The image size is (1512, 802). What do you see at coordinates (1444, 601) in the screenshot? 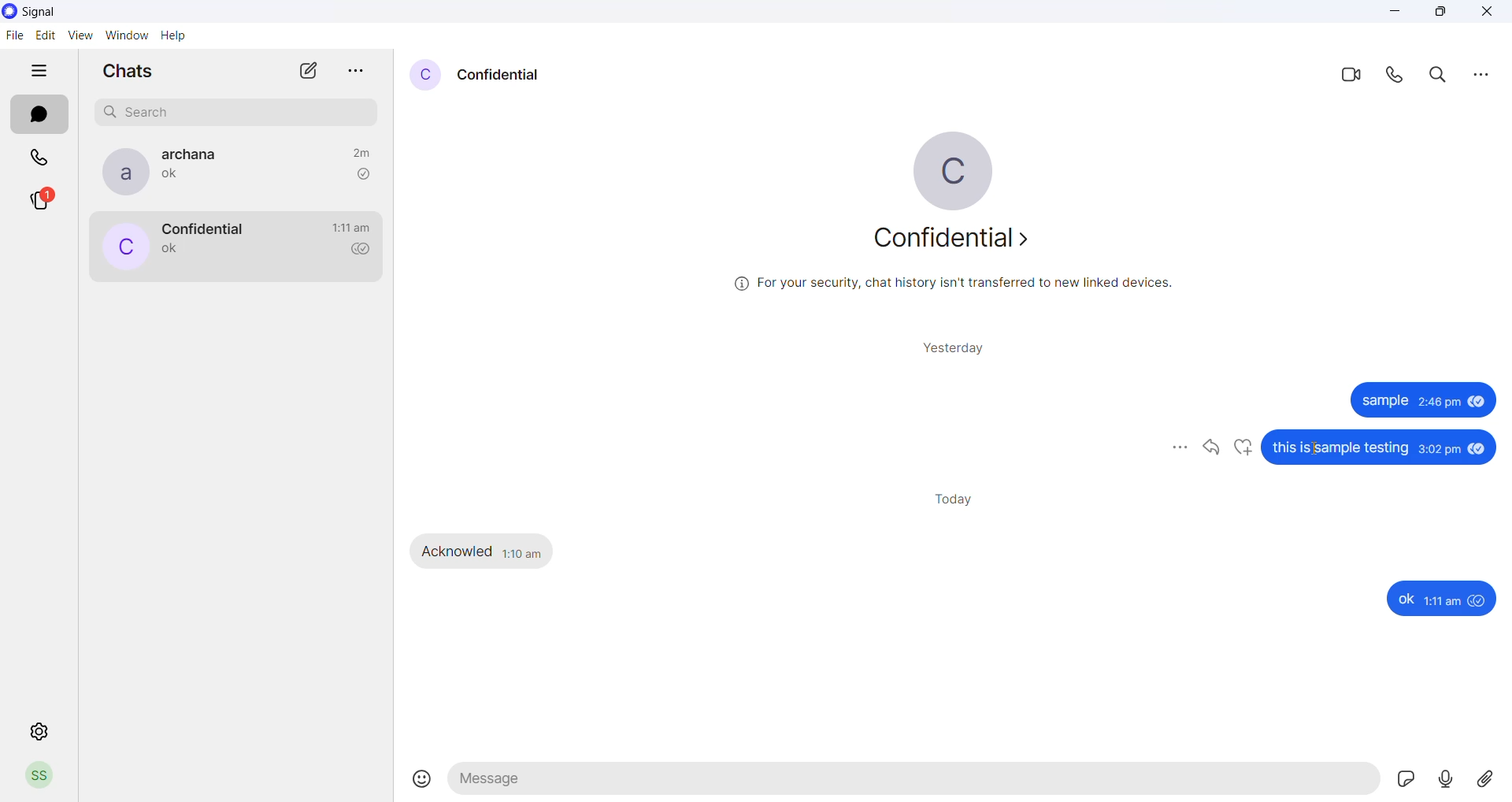
I see `1:11am` at bounding box center [1444, 601].